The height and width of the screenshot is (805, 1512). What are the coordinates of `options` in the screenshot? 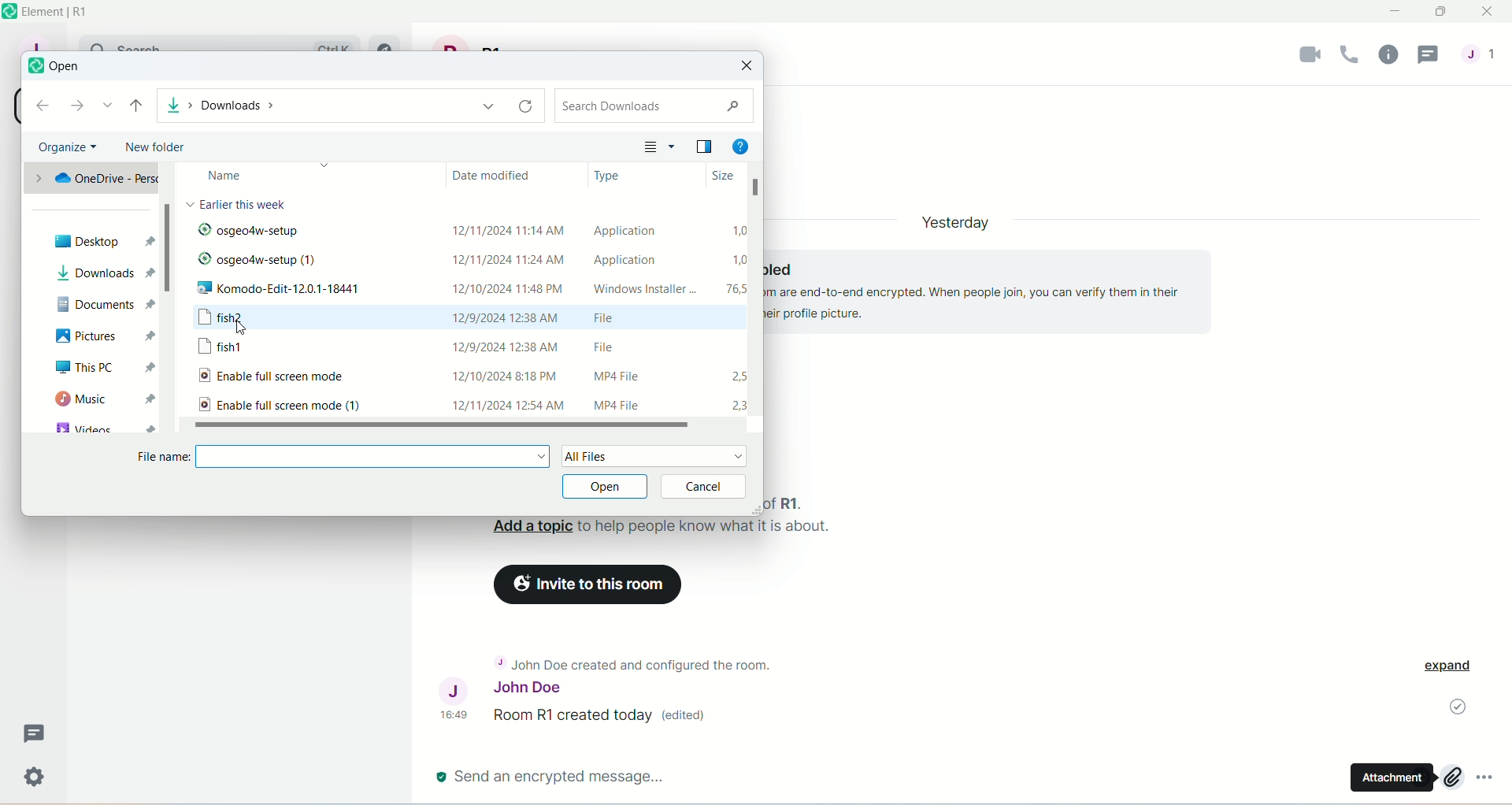 It's located at (1492, 783).